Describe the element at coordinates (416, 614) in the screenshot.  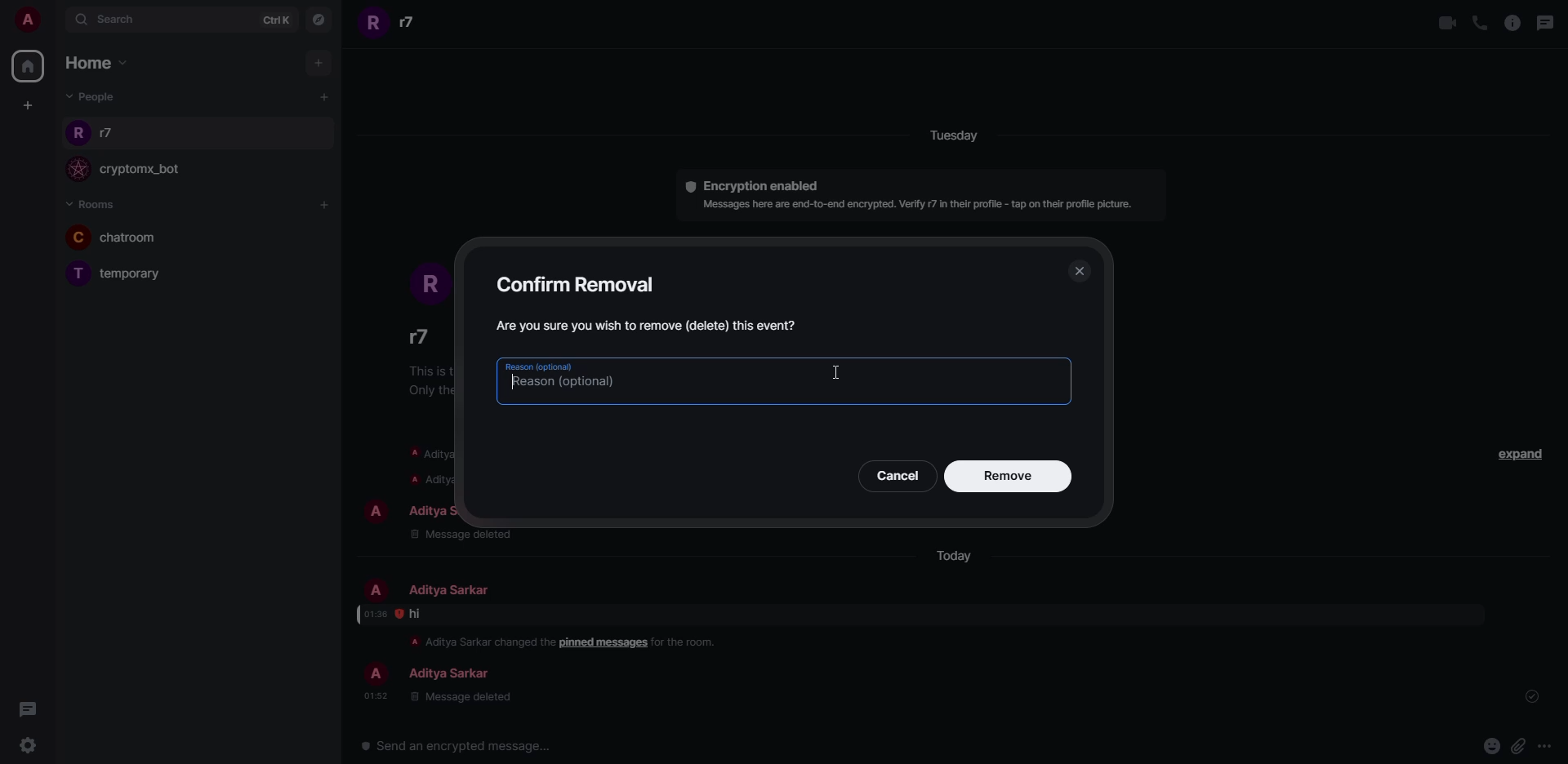
I see `message` at that location.